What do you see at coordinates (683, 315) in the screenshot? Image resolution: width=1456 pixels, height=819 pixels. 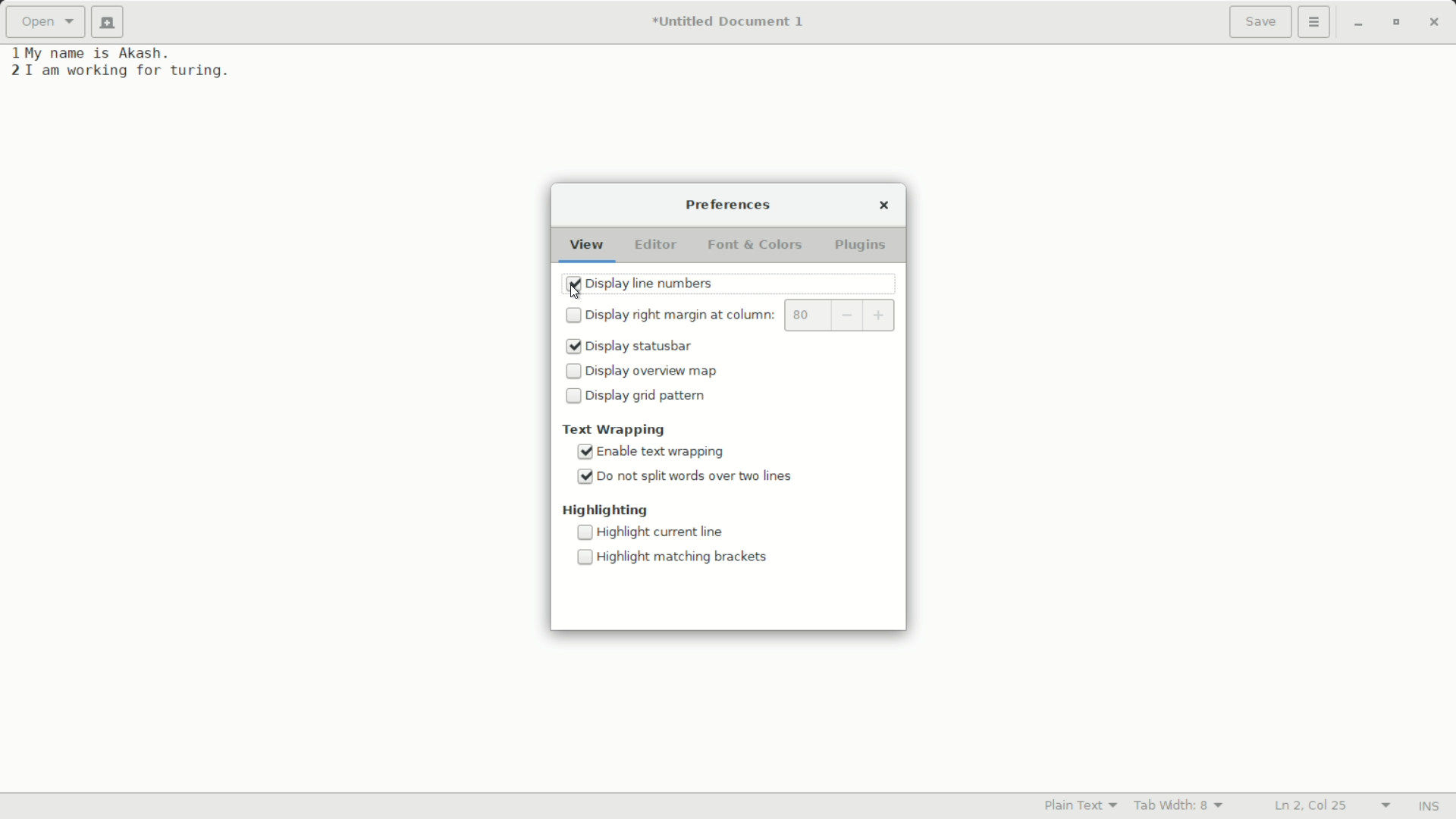 I see `display night margin at column` at bounding box center [683, 315].